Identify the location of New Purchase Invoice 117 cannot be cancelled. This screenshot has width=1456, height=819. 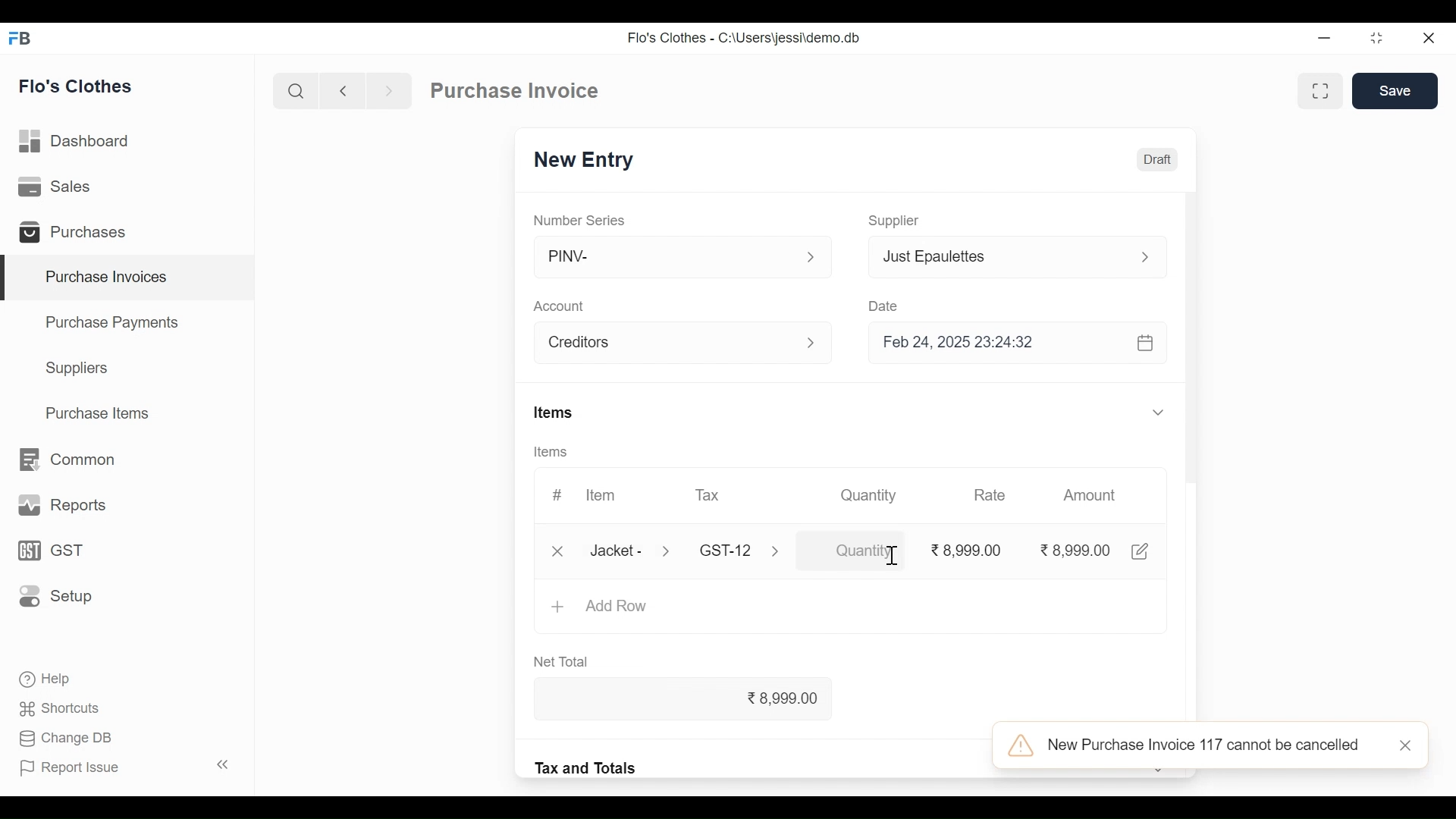
(1193, 746).